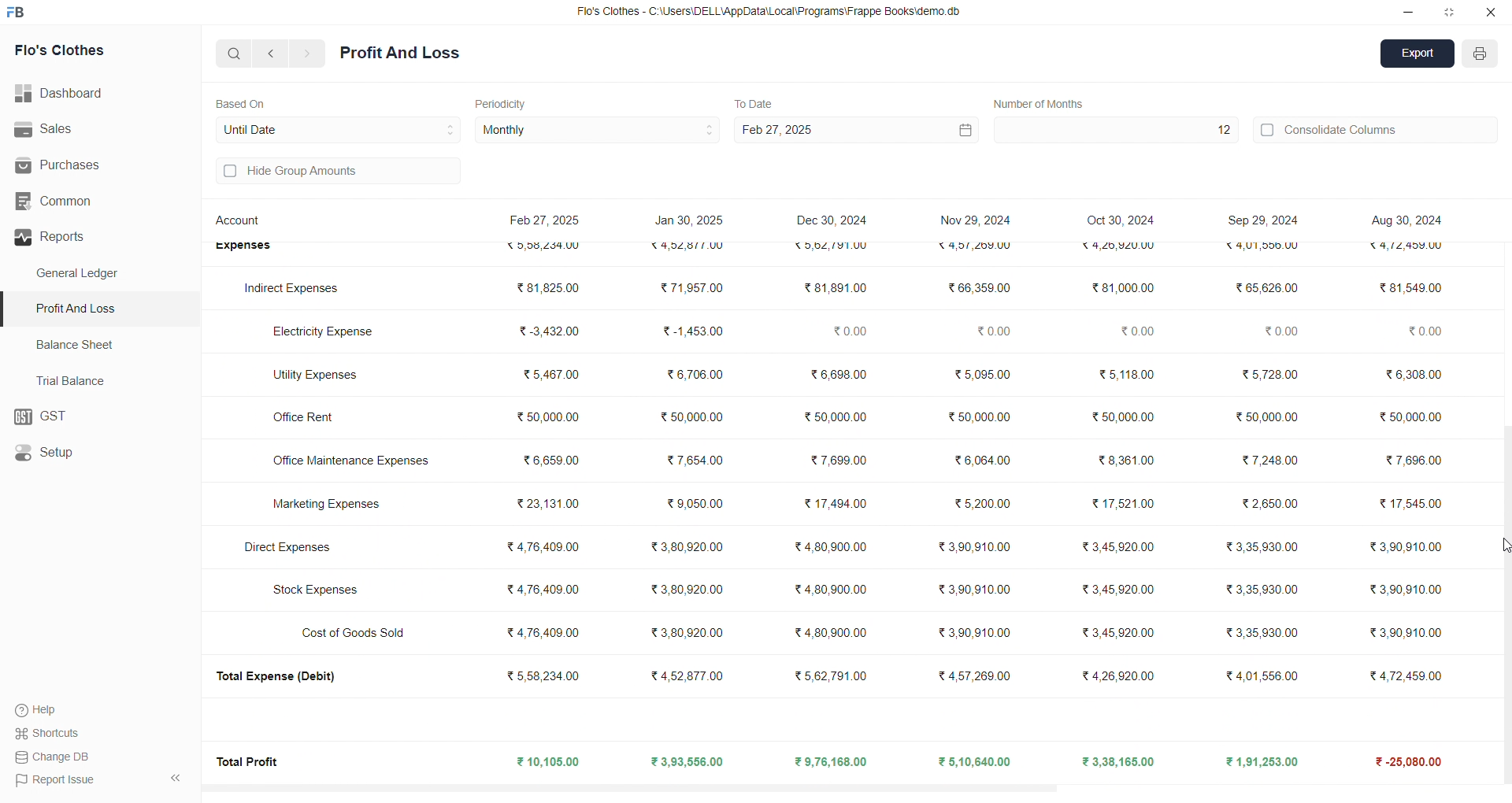  I want to click on PRINT, so click(1480, 56).